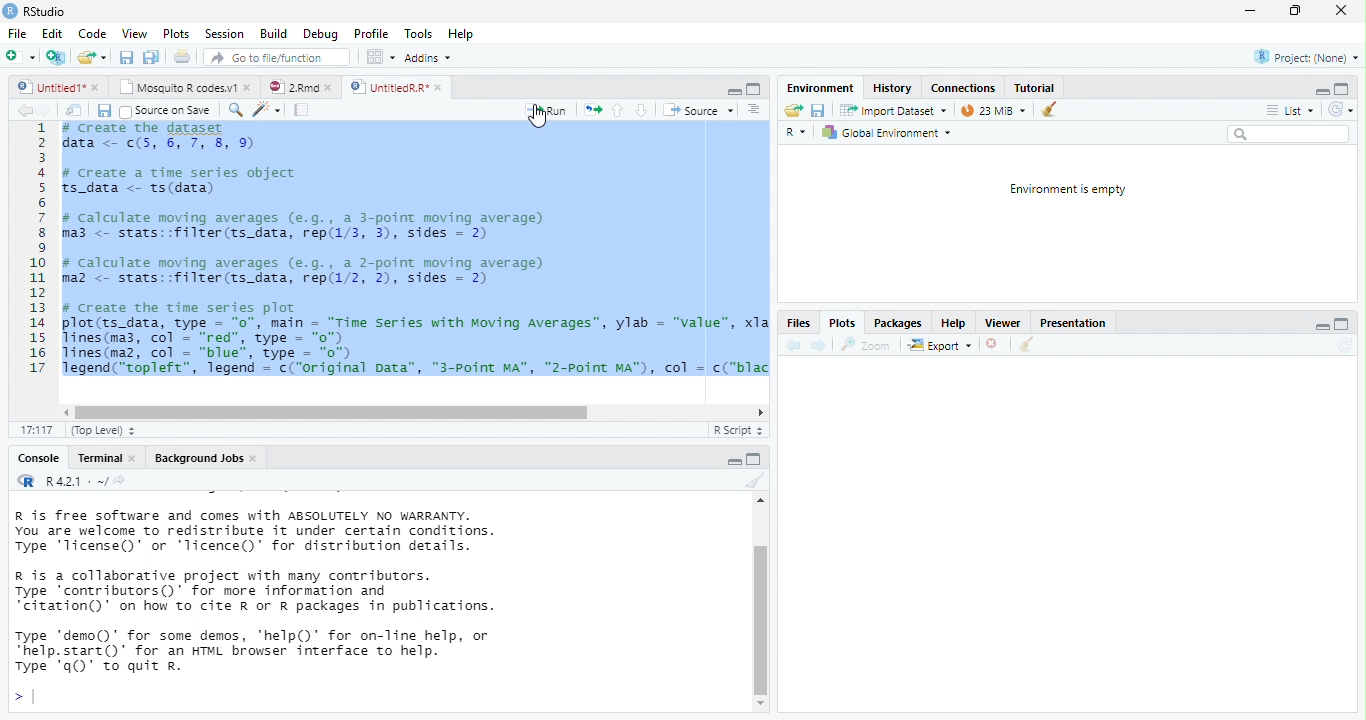 The image size is (1366, 720). Describe the element at coordinates (892, 87) in the screenshot. I see `History` at that location.